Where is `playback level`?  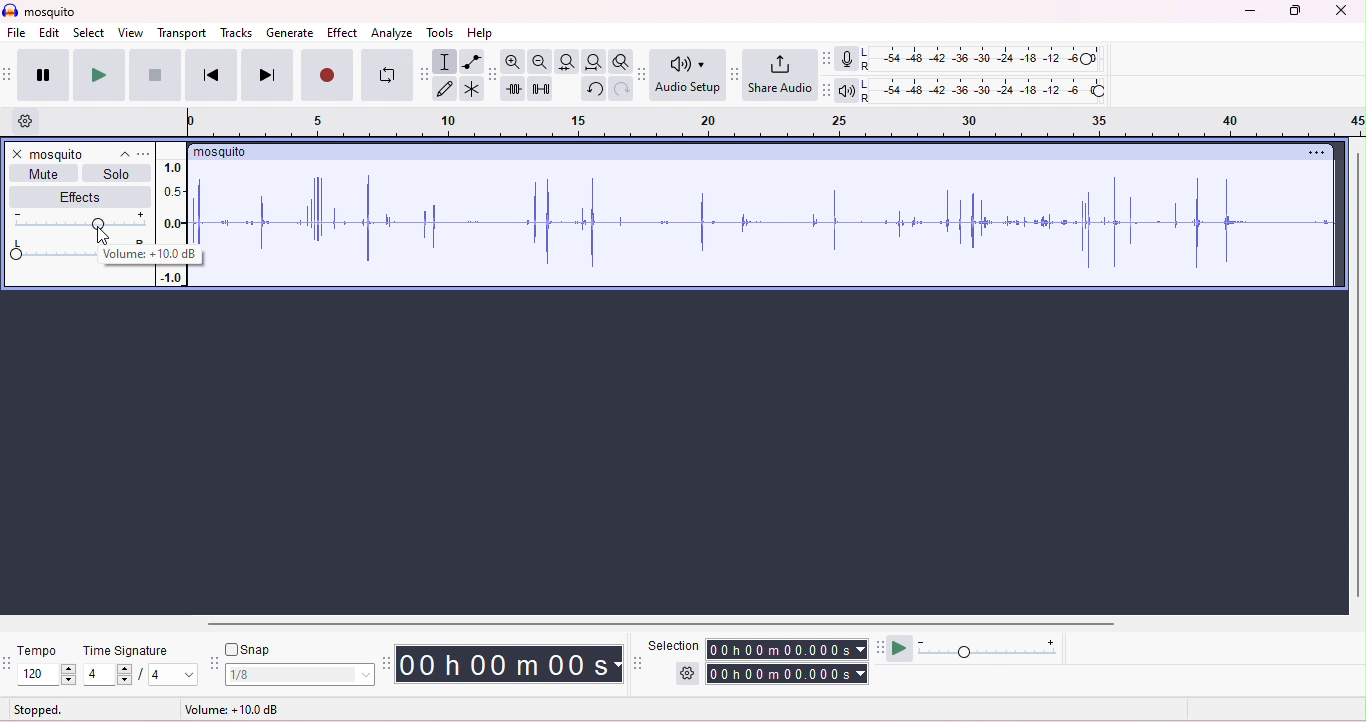
playback level is located at coordinates (984, 91).